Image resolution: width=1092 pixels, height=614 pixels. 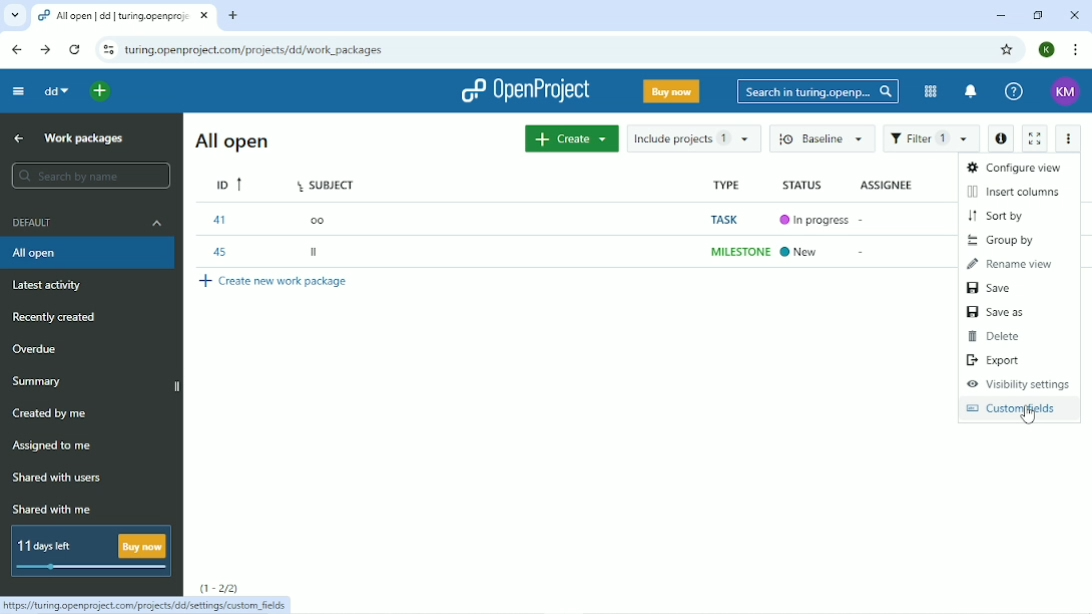 I want to click on Back, so click(x=18, y=49).